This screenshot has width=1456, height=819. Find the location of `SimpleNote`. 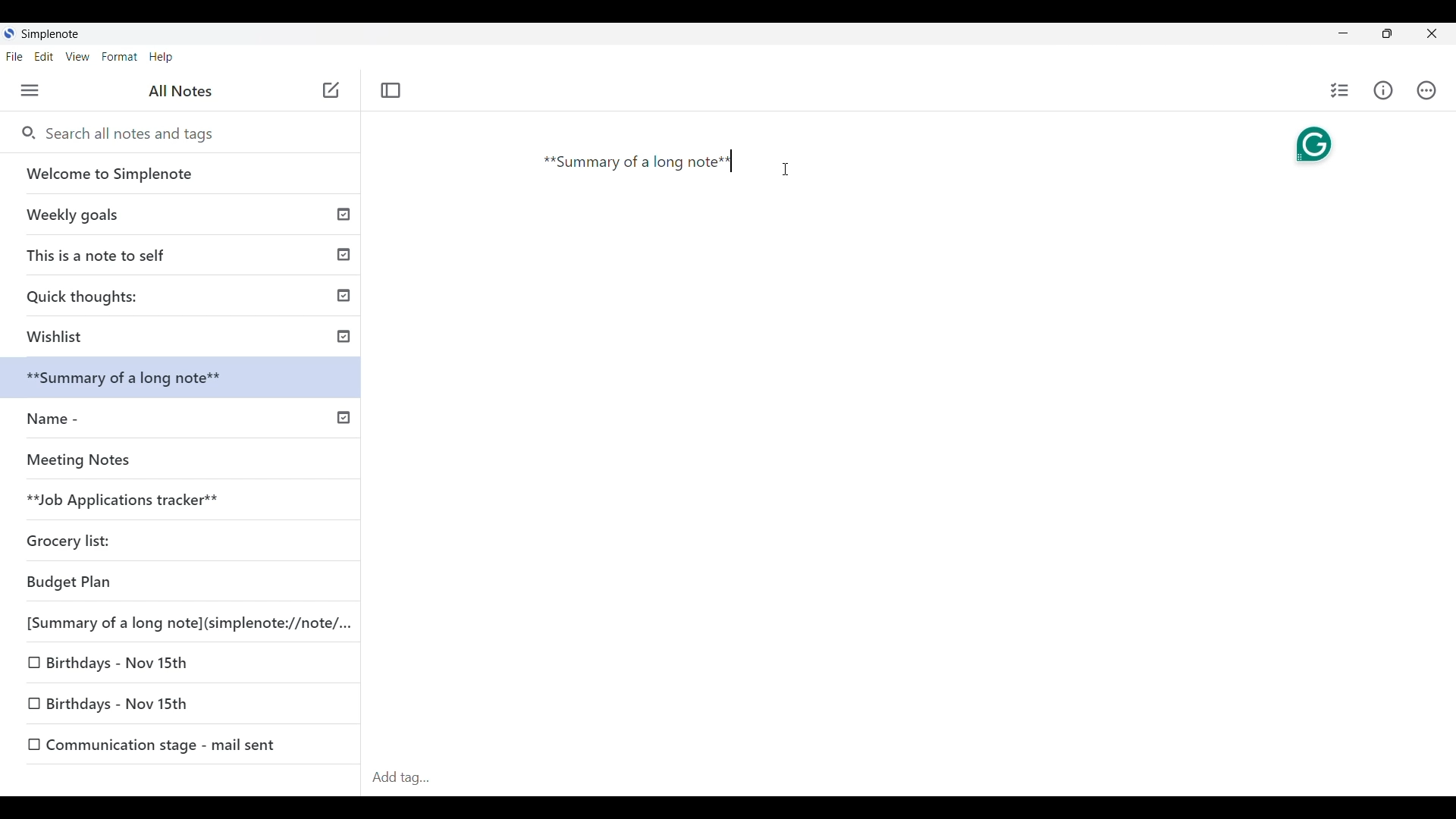

SimpleNote is located at coordinates (46, 33).